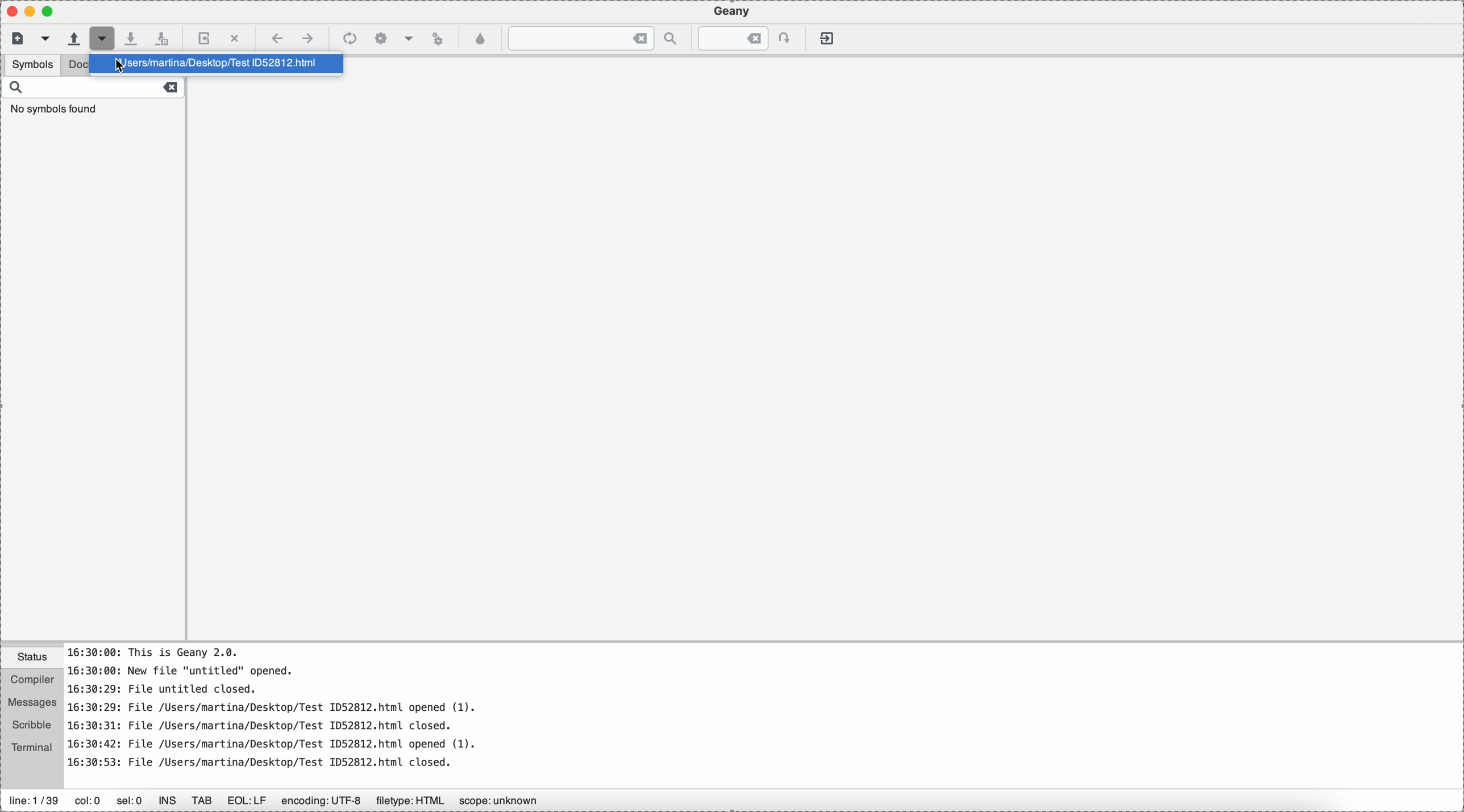 The height and width of the screenshot is (812, 1464). I want to click on navigate back, so click(275, 39).